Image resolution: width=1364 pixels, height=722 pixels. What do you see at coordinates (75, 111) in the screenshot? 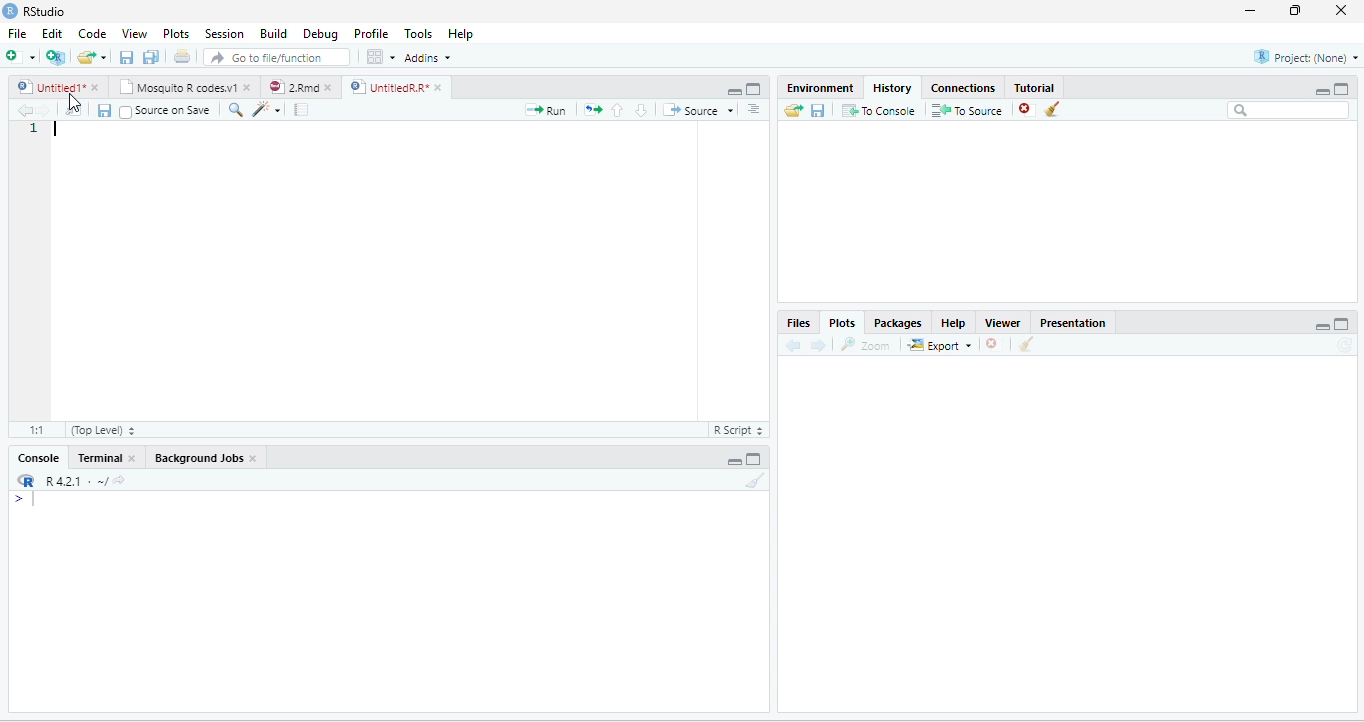
I see `Show in new window` at bounding box center [75, 111].